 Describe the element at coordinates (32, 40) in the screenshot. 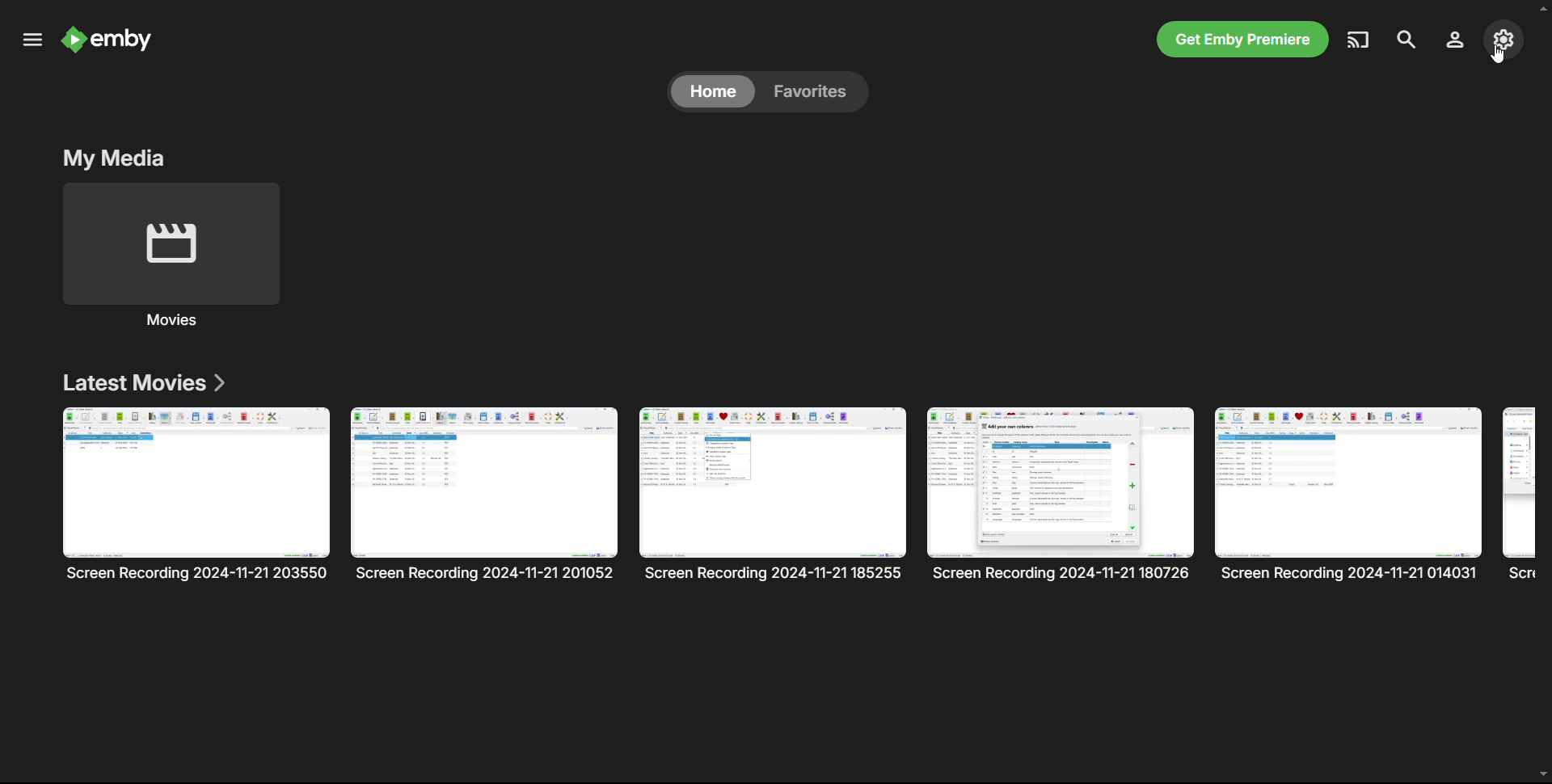

I see `menu` at that location.